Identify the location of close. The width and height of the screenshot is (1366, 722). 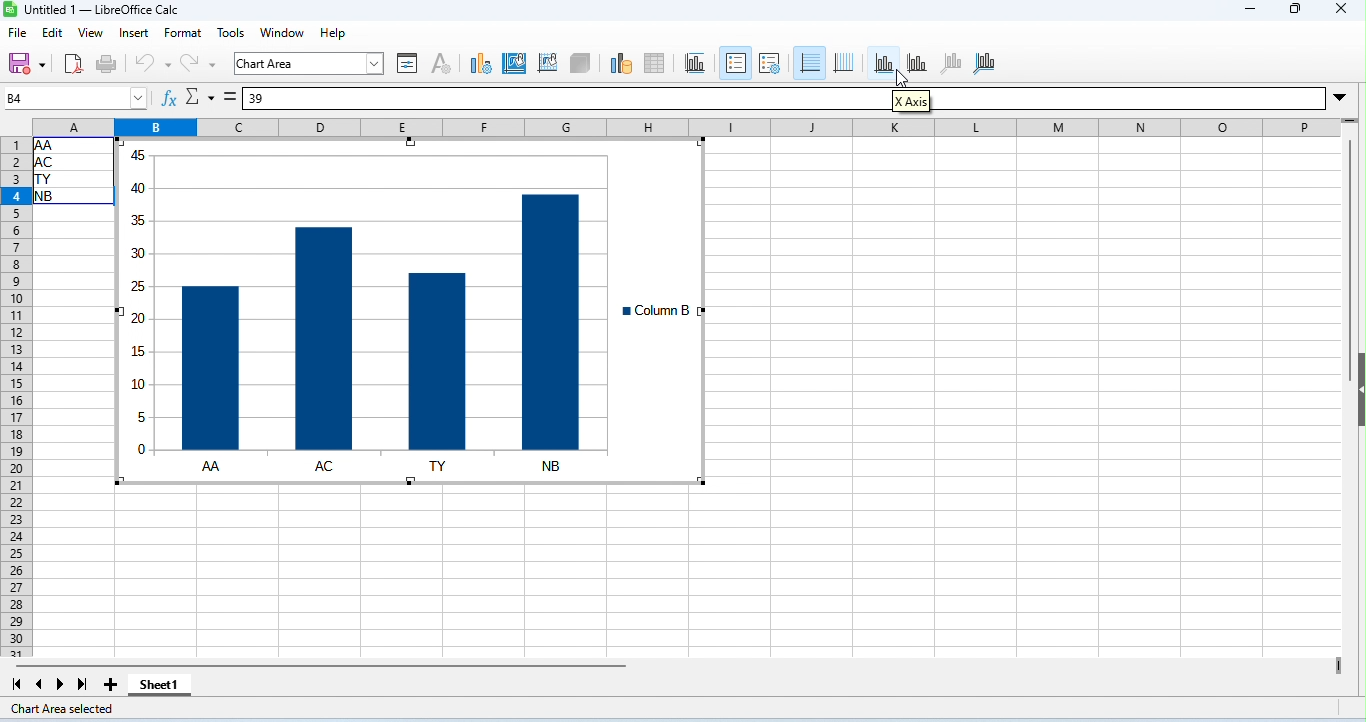
(1339, 9).